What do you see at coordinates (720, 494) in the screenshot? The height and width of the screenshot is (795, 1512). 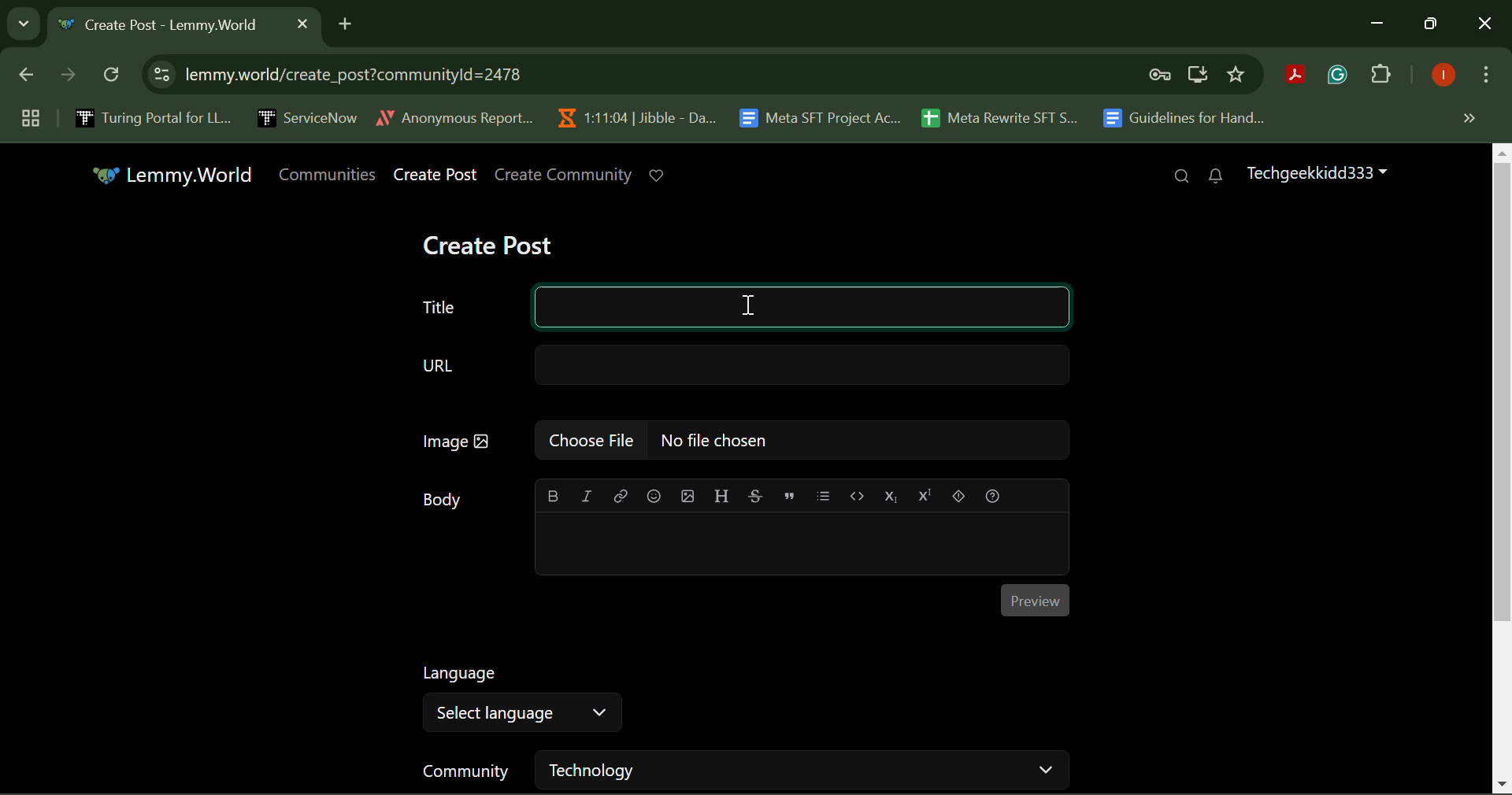 I see `header` at bounding box center [720, 494].